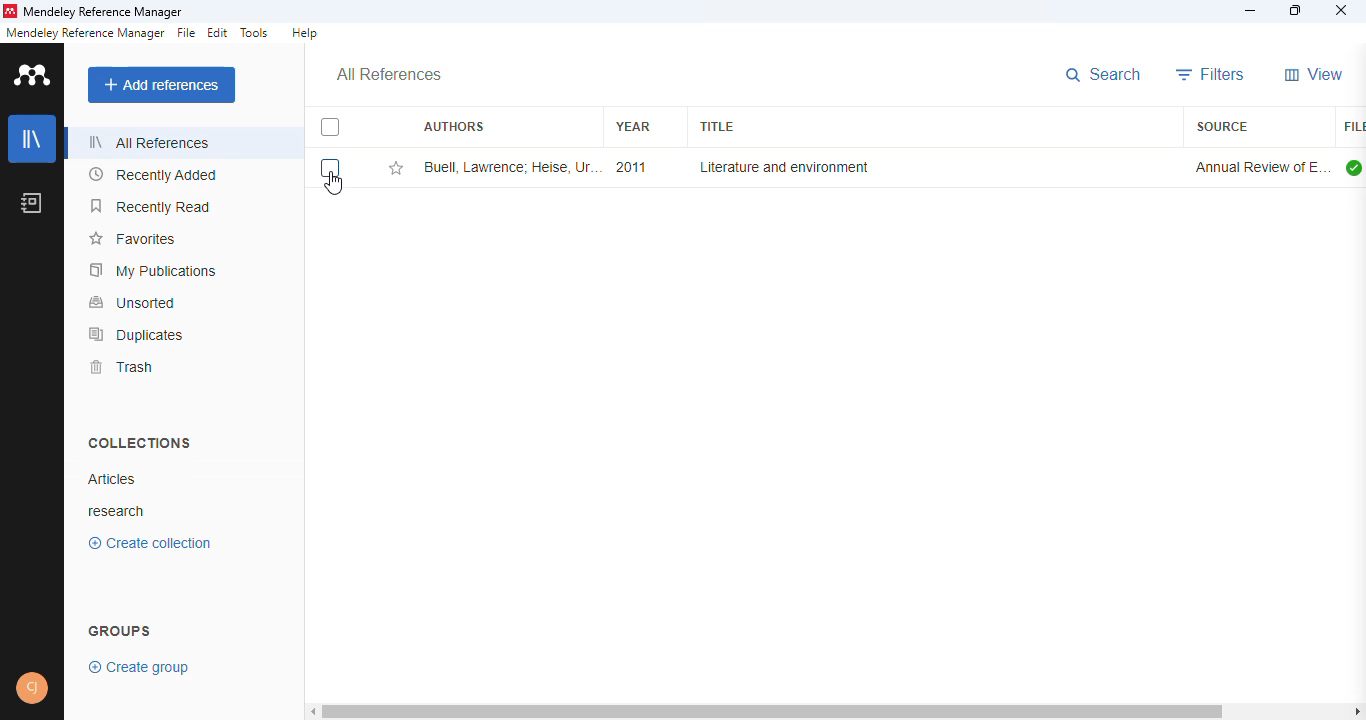 Image resolution: width=1366 pixels, height=720 pixels. I want to click on minimize, so click(1251, 12).